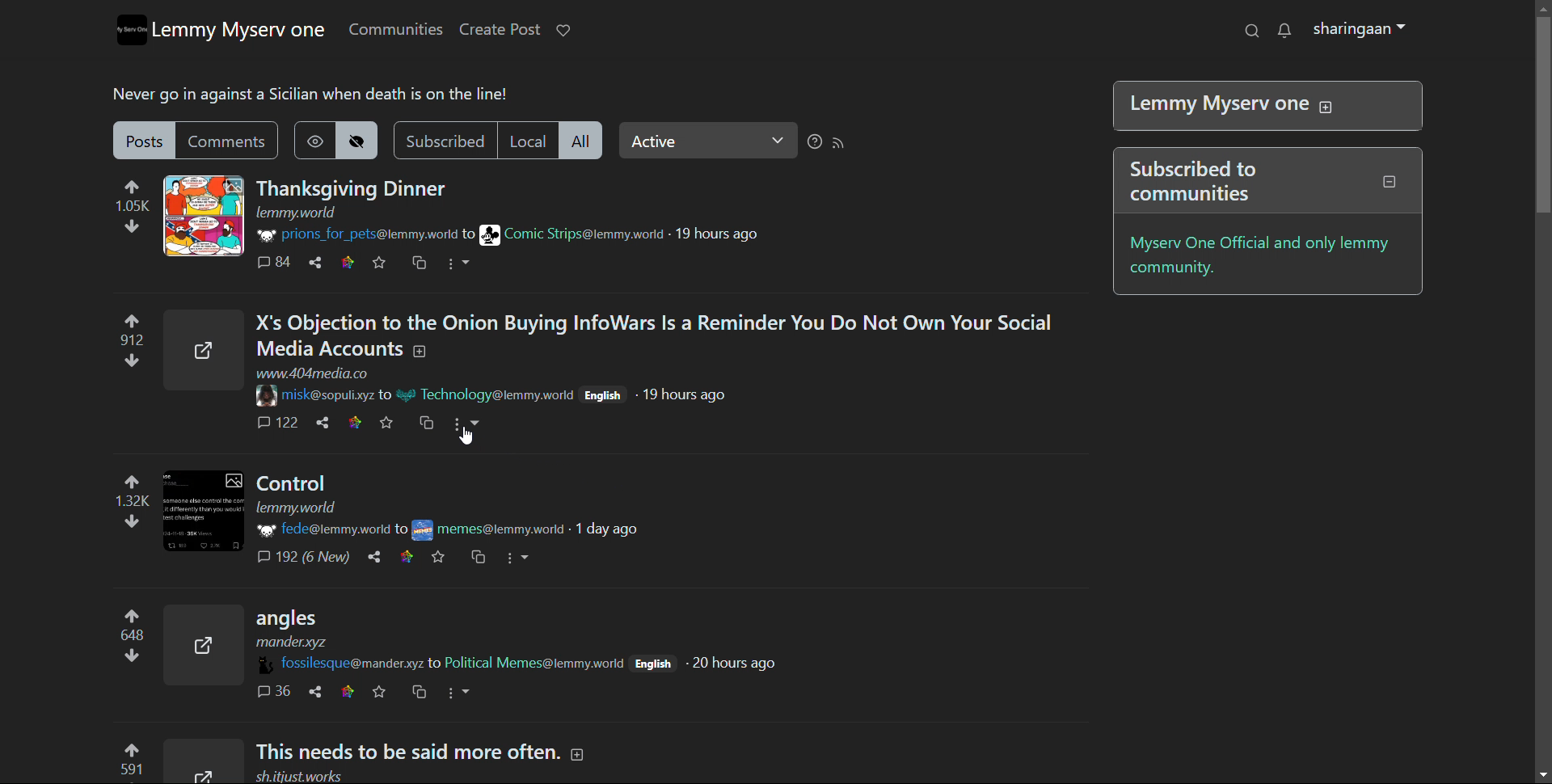 Image resolution: width=1552 pixels, height=784 pixels. Describe the element at coordinates (839, 143) in the screenshot. I see `rss` at that location.